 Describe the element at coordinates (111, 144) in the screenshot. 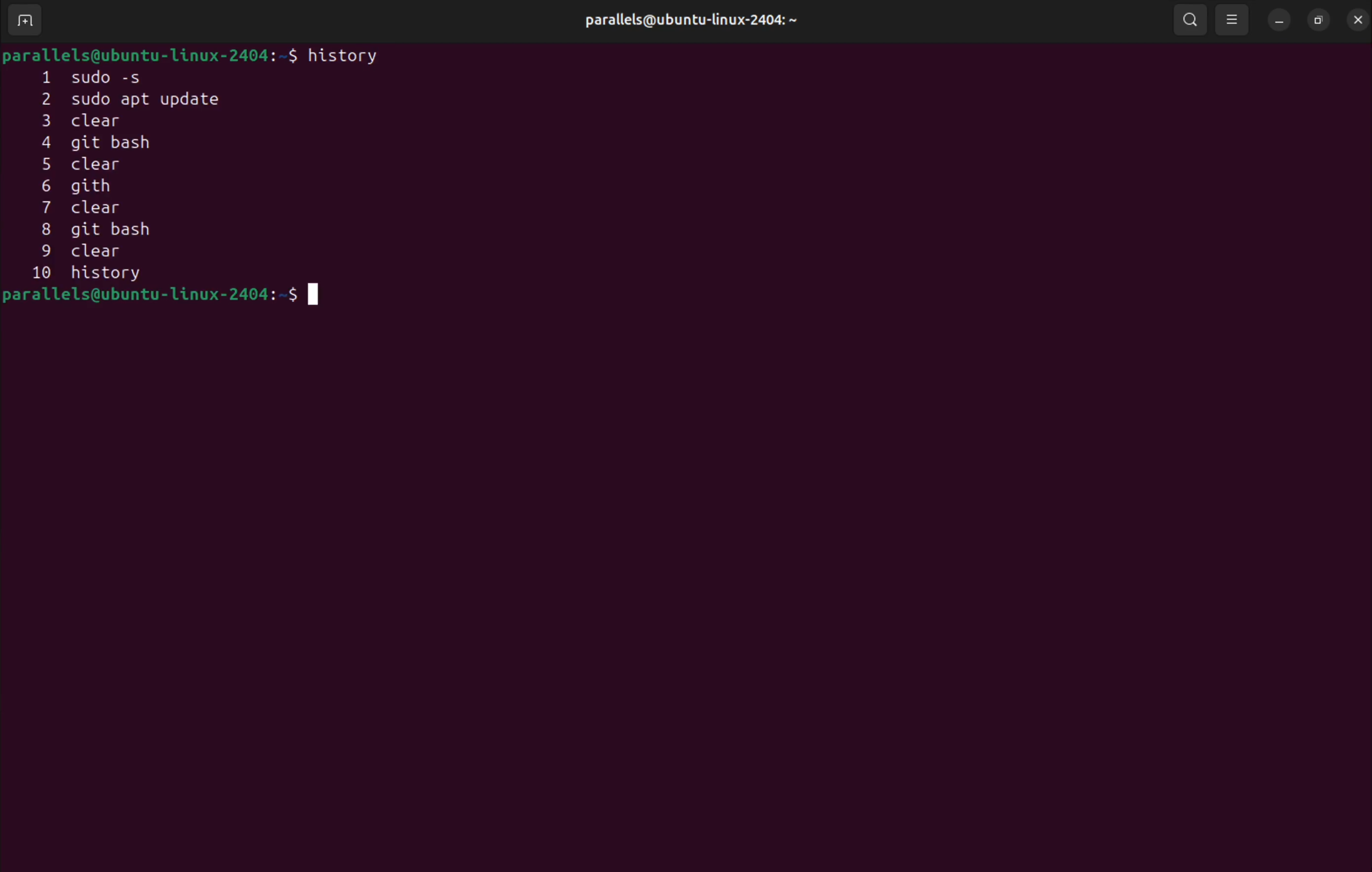

I see `4.gitbash` at that location.